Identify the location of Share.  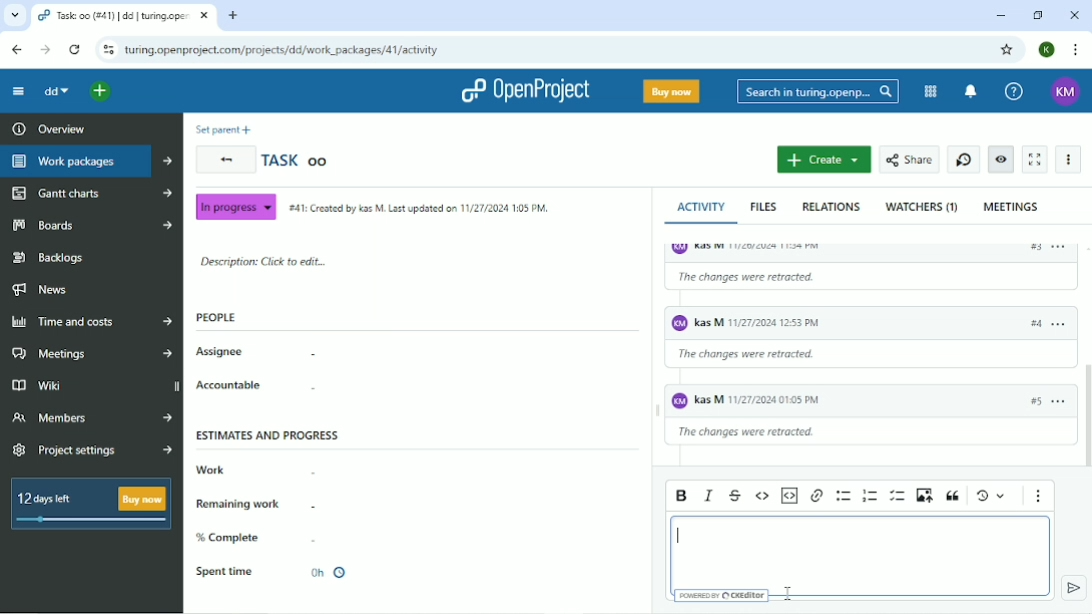
(910, 159).